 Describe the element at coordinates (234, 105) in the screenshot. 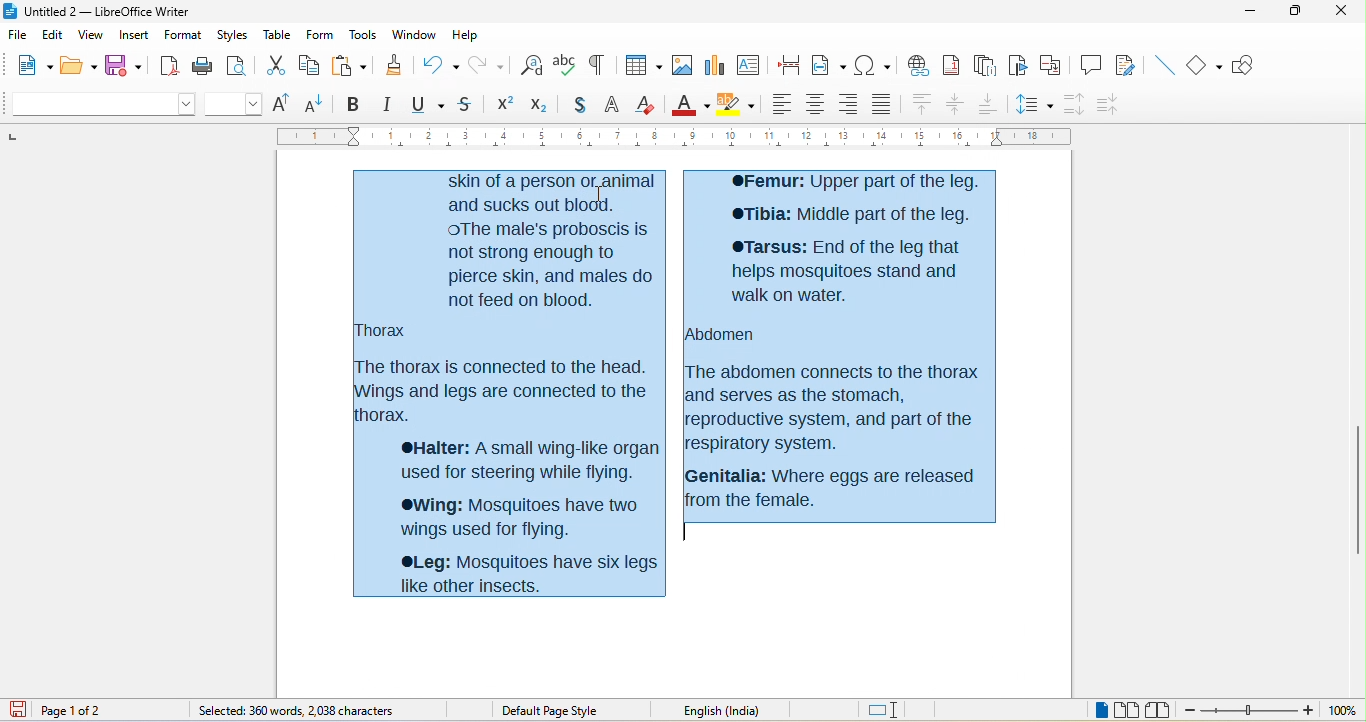

I see `font size` at that location.